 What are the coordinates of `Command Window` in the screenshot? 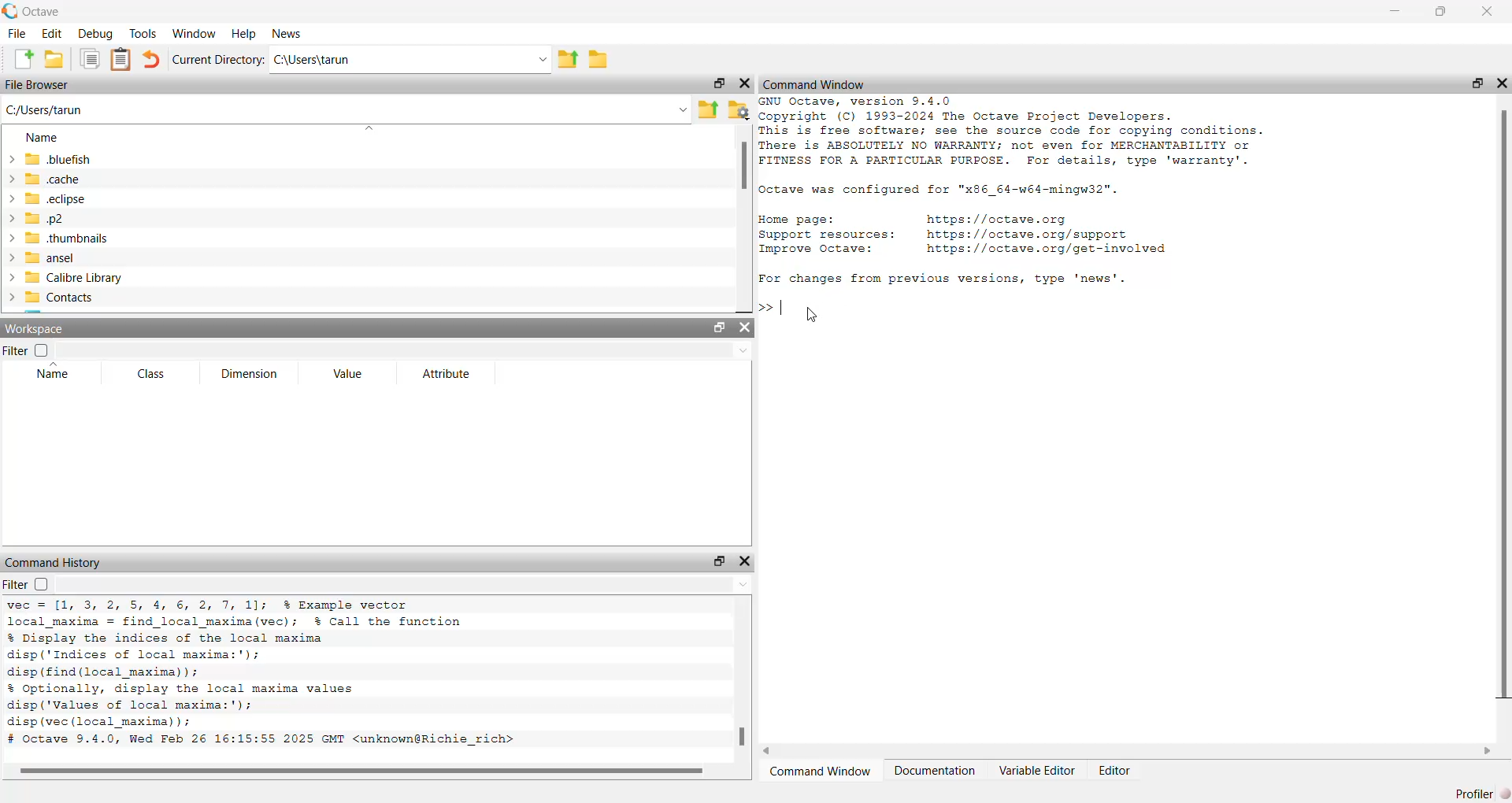 It's located at (813, 83).